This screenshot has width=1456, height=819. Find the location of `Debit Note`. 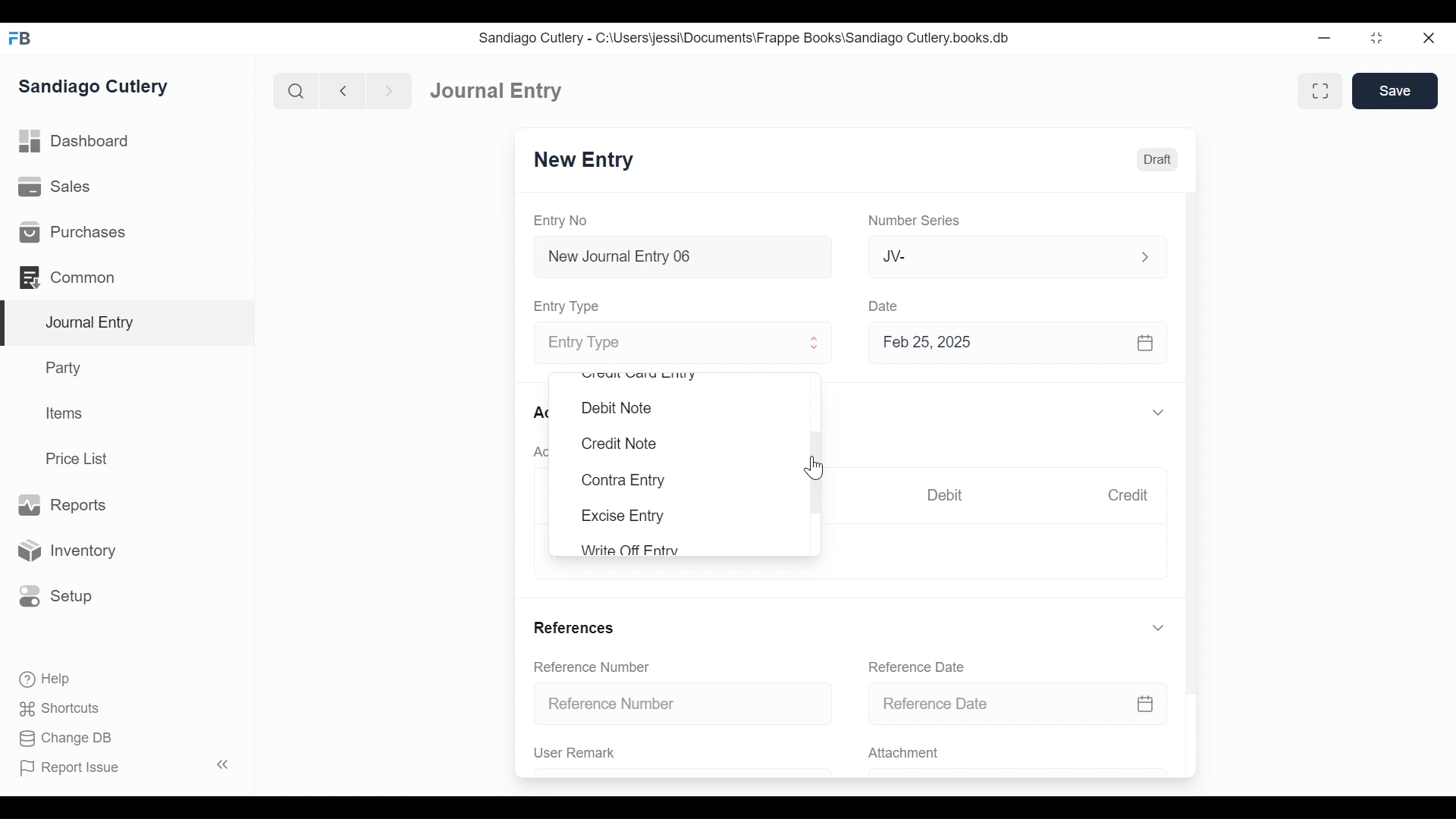

Debit Note is located at coordinates (617, 408).